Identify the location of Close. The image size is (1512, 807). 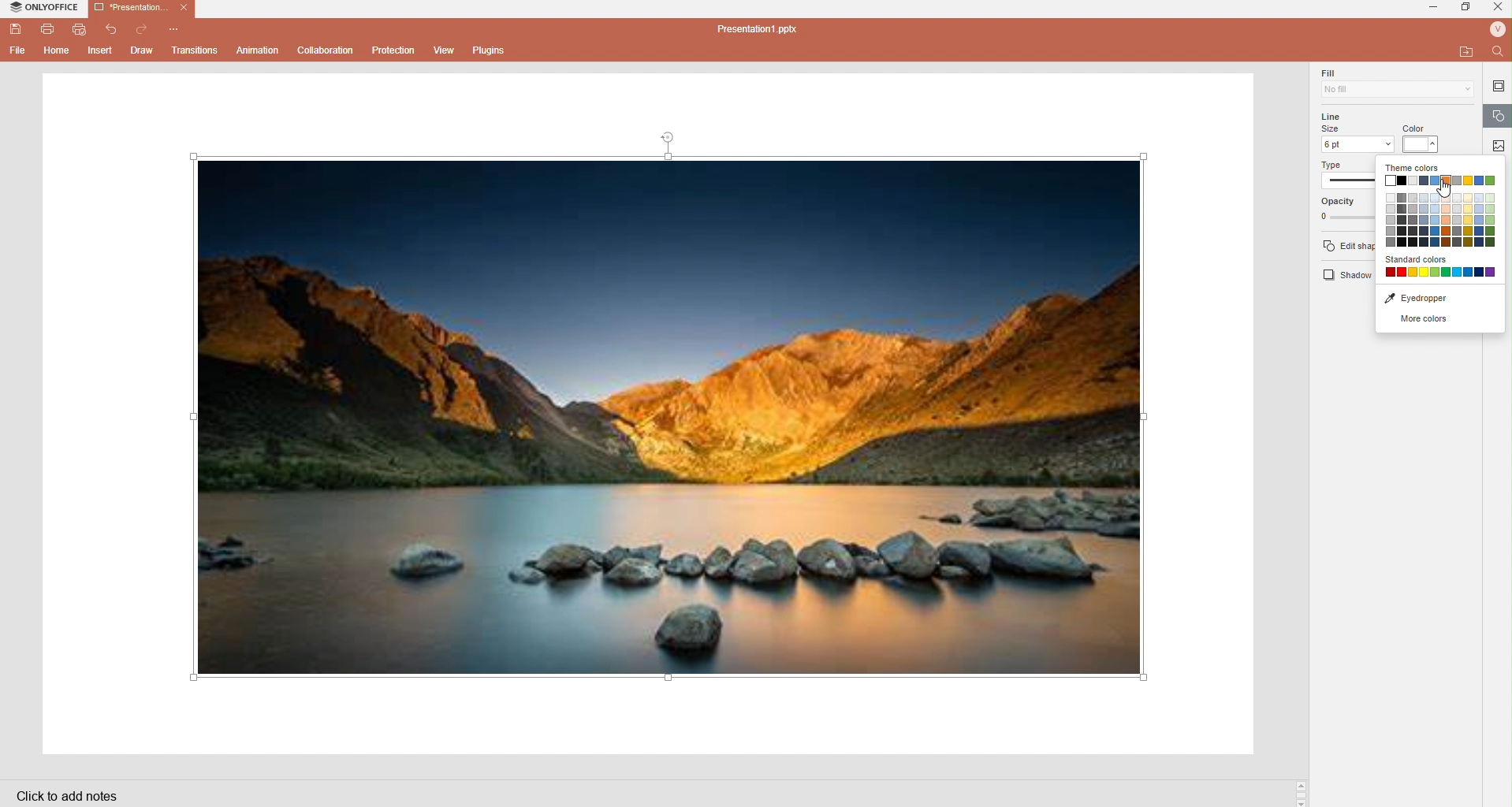
(1499, 9).